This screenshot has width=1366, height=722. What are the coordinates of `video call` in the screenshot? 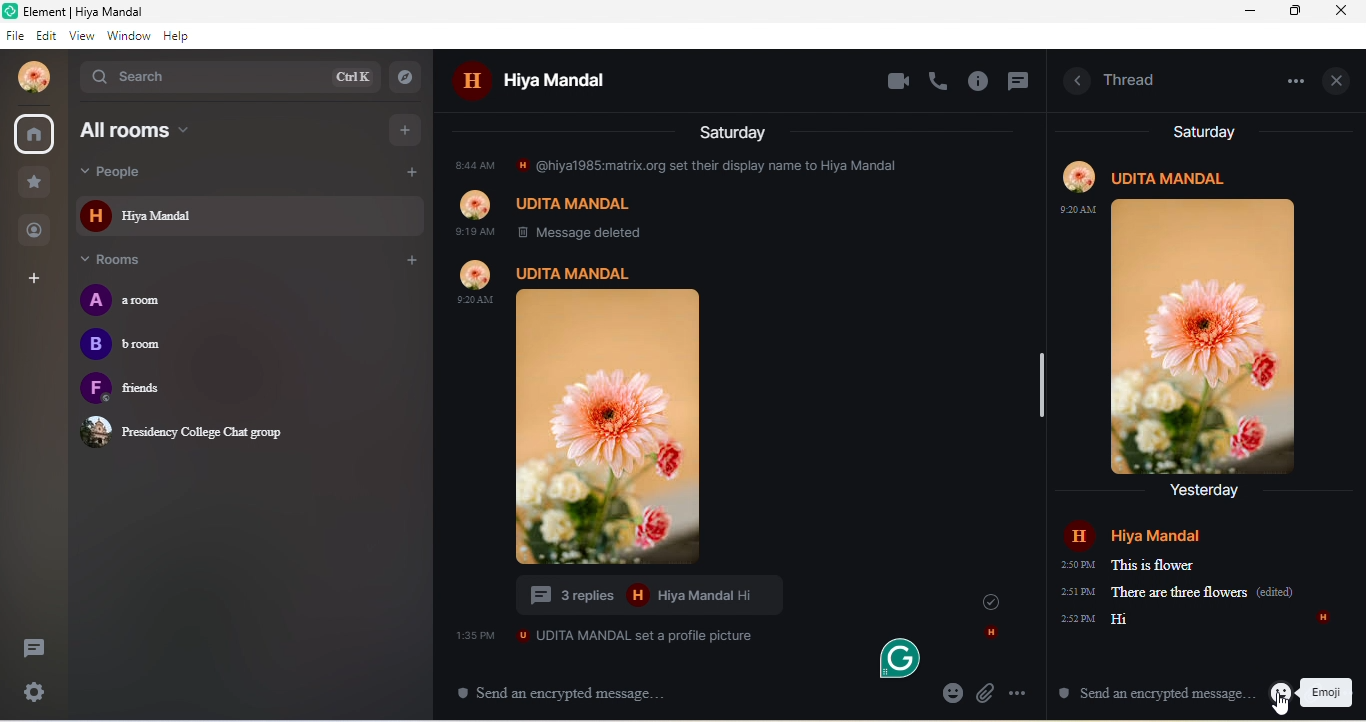 It's located at (897, 82).